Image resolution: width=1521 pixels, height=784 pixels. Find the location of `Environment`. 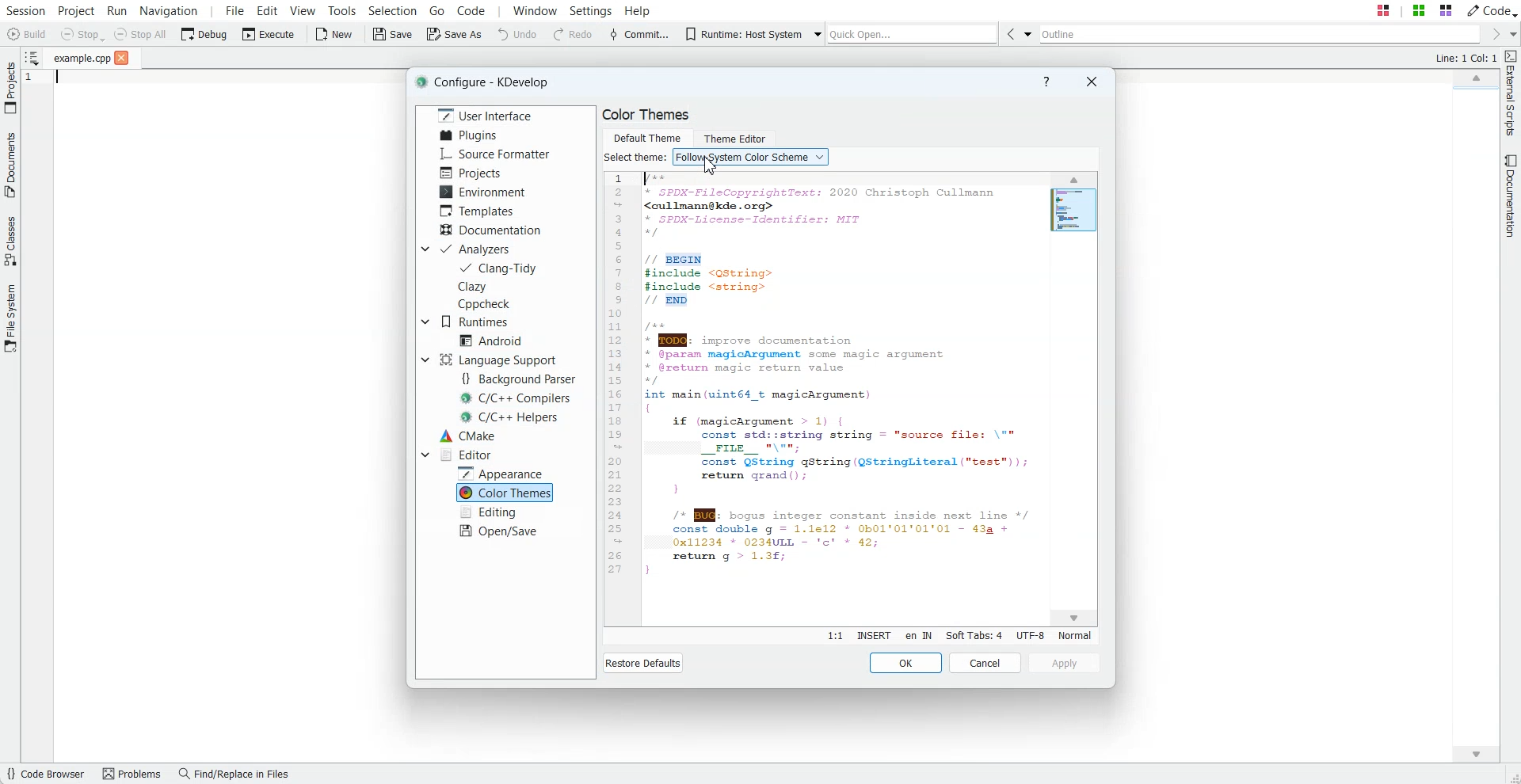

Environment is located at coordinates (485, 191).